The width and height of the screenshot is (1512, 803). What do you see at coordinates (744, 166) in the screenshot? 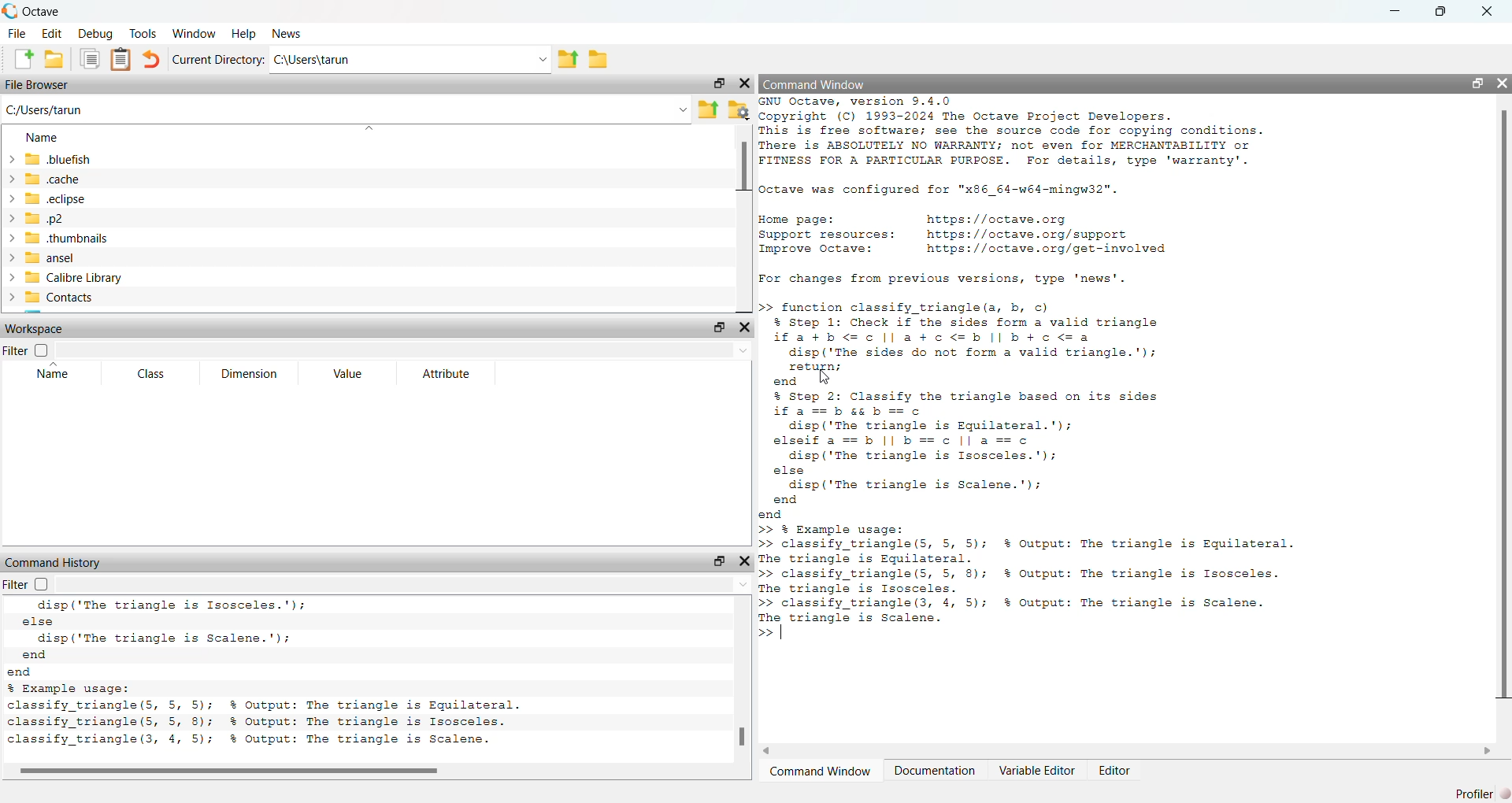
I see `scrollbar` at bounding box center [744, 166].